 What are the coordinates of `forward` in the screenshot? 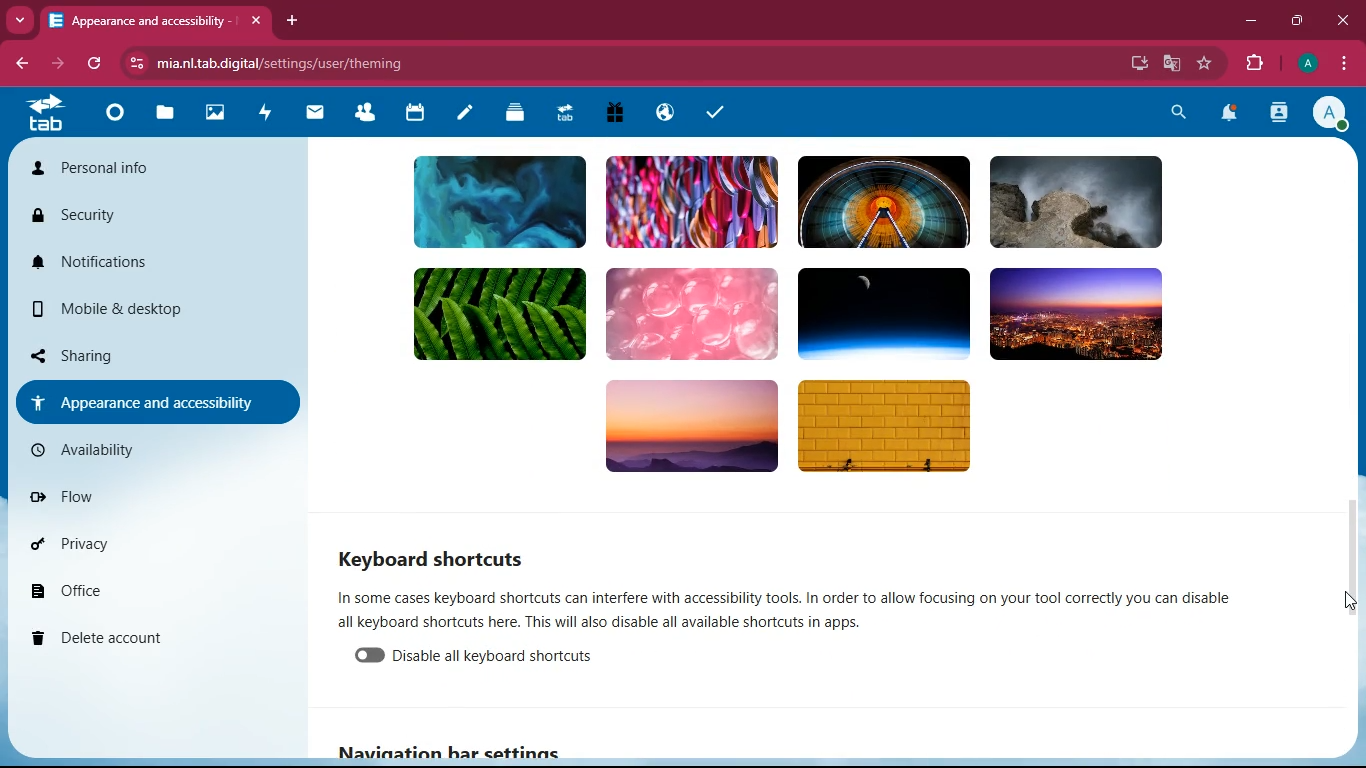 It's located at (55, 62).